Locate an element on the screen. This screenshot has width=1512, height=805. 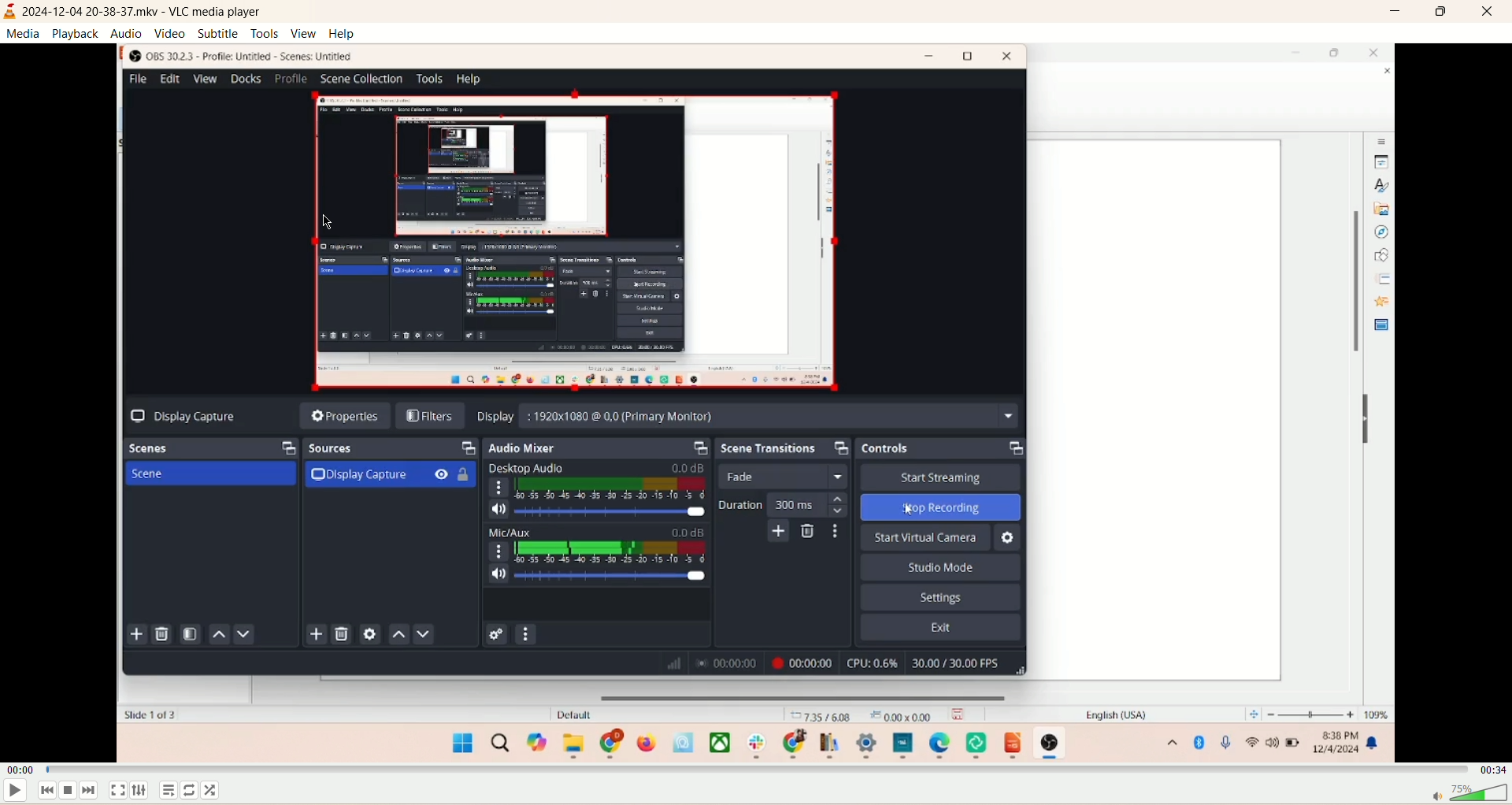
audio is located at coordinates (126, 32).